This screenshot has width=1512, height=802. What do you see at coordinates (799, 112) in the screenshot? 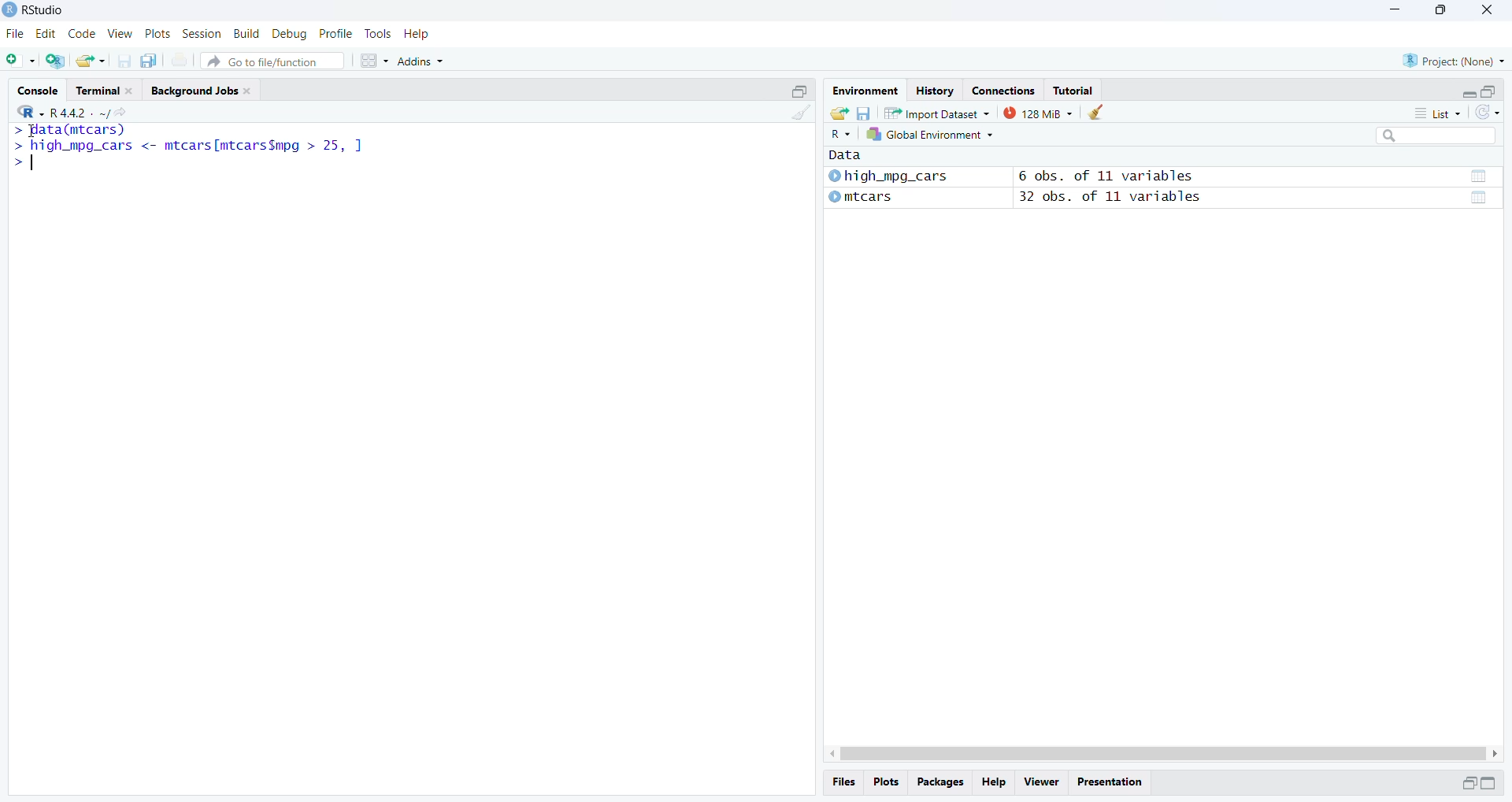
I see `clear console` at bounding box center [799, 112].